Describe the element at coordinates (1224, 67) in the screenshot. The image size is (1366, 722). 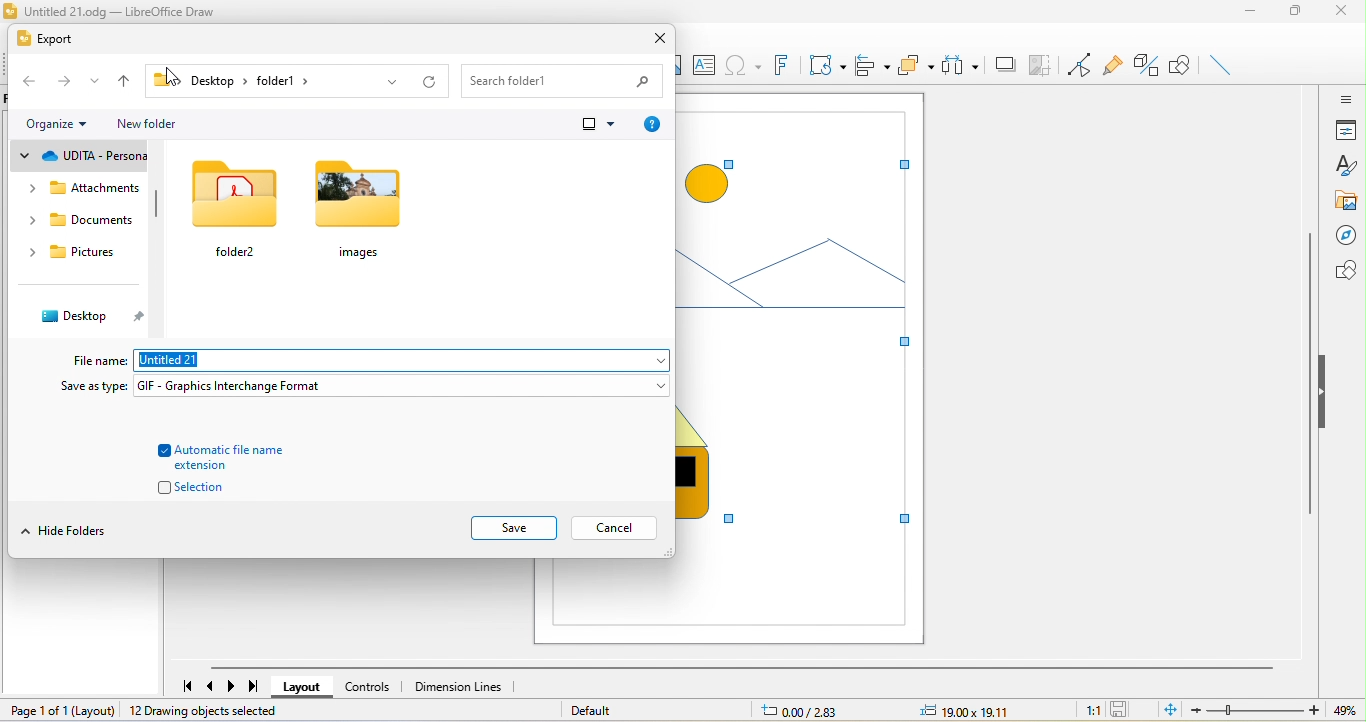
I see `line tool` at that location.